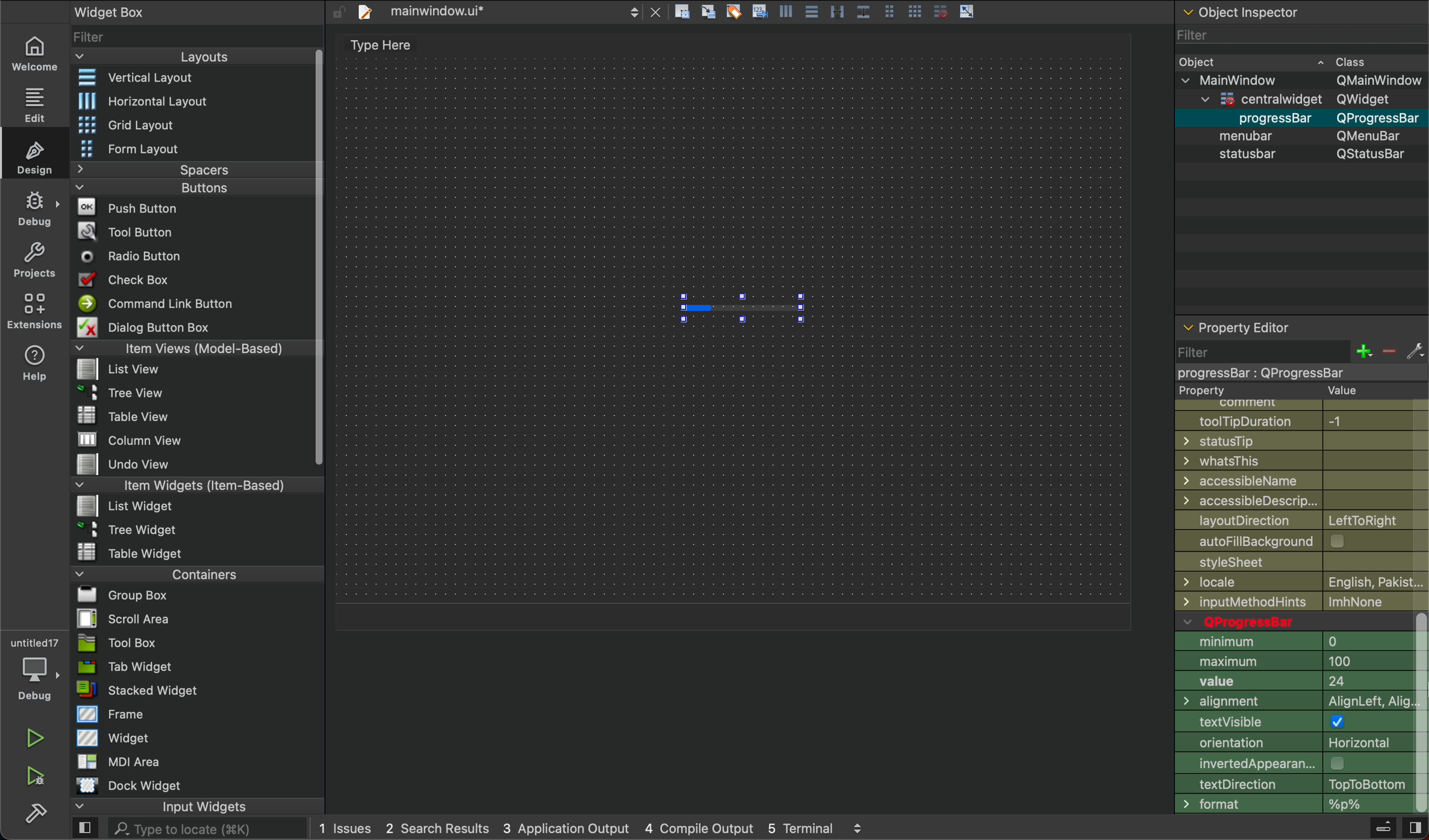 This screenshot has width=1429, height=840. I want to click on File, so click(123, 370).